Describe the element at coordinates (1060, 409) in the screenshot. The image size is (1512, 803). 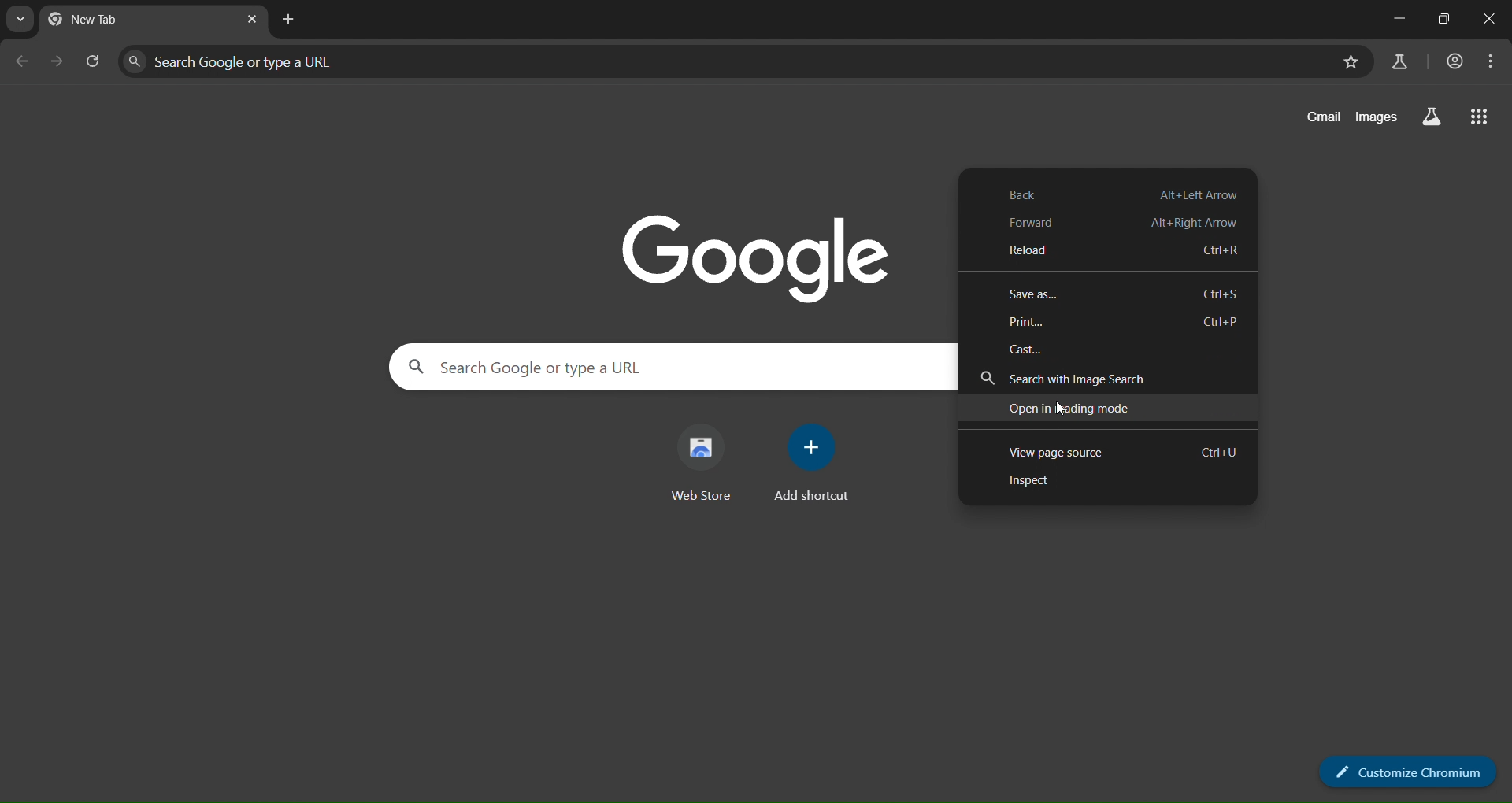
I see `cursor` at that location.